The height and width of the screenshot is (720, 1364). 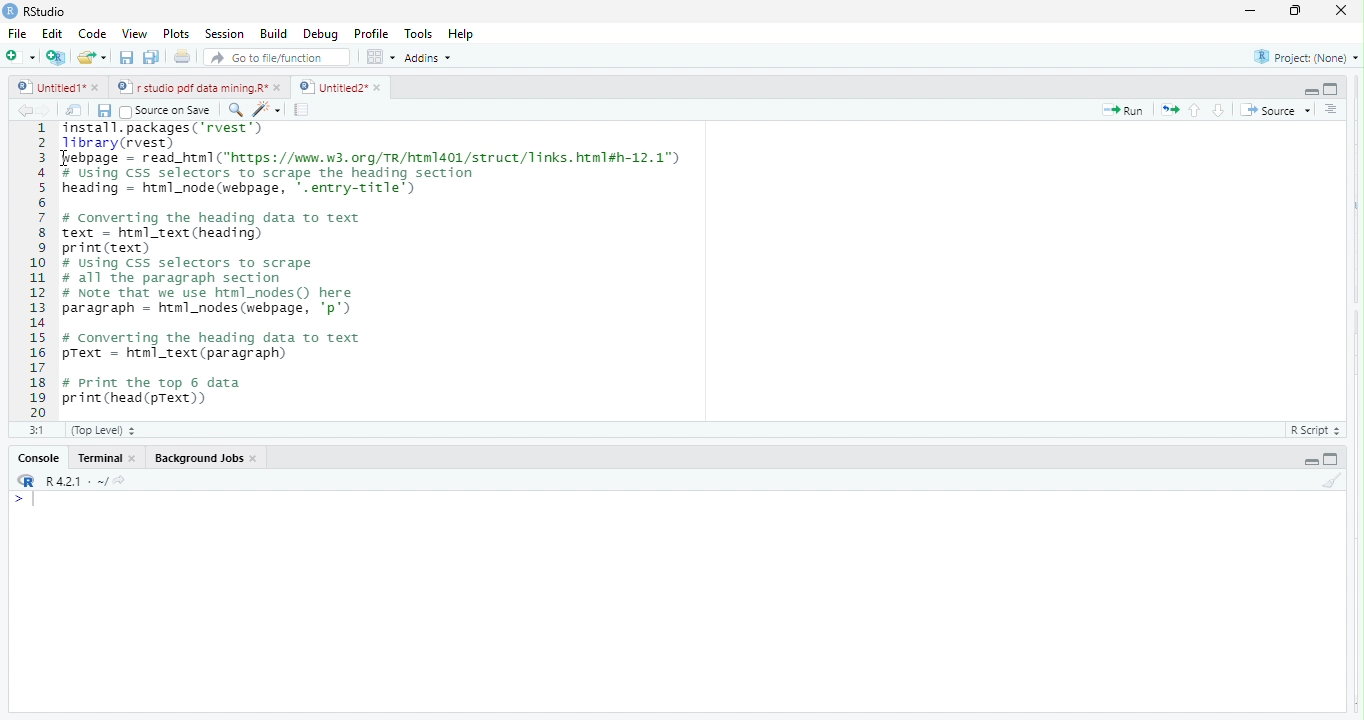 I want to click on (top Level), so click(x=104, y=430).